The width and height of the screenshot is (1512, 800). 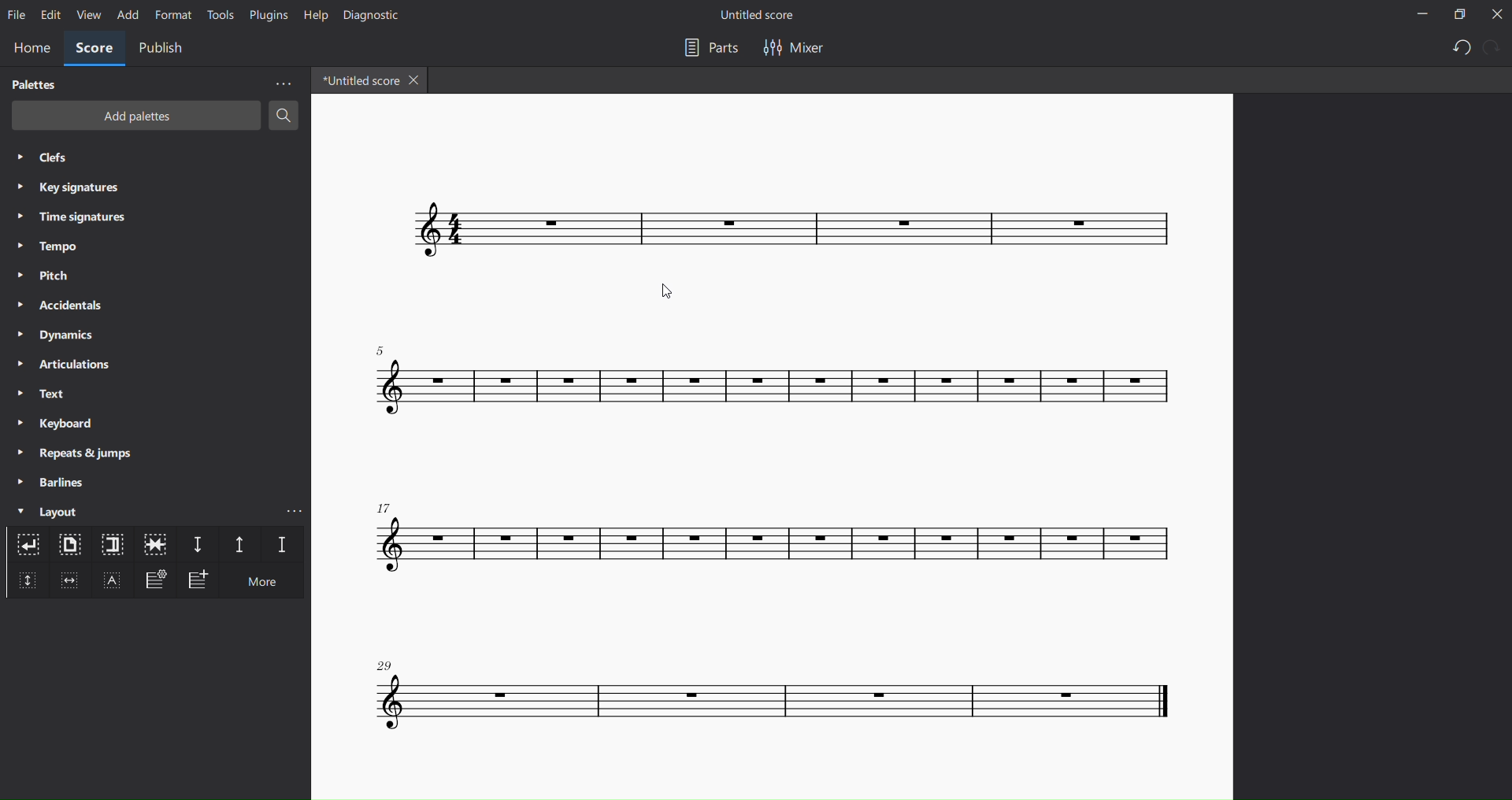 I want to click on staff spacer up, so click(x=235, y=545).